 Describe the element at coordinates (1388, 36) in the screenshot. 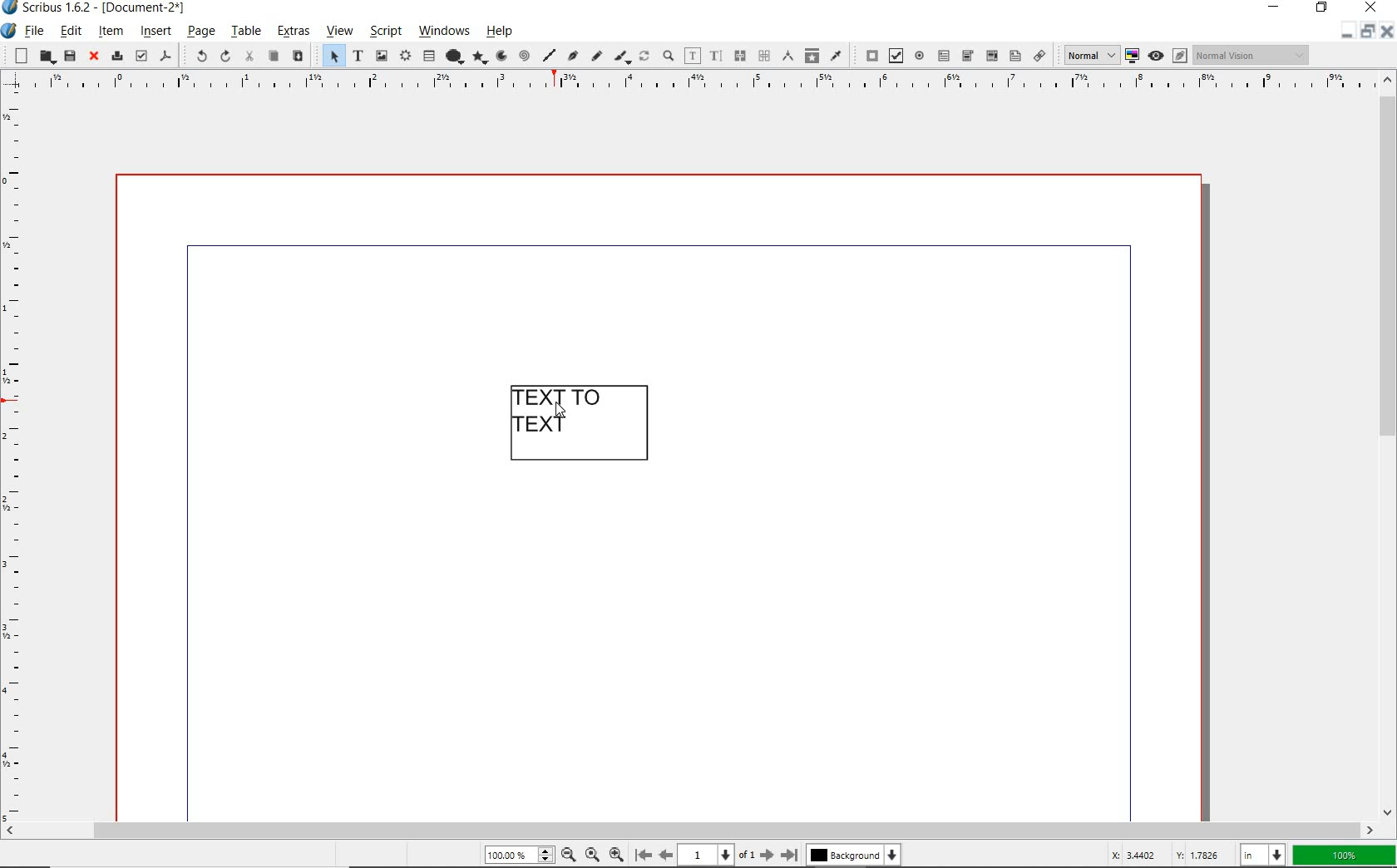

I see `close` at that location.